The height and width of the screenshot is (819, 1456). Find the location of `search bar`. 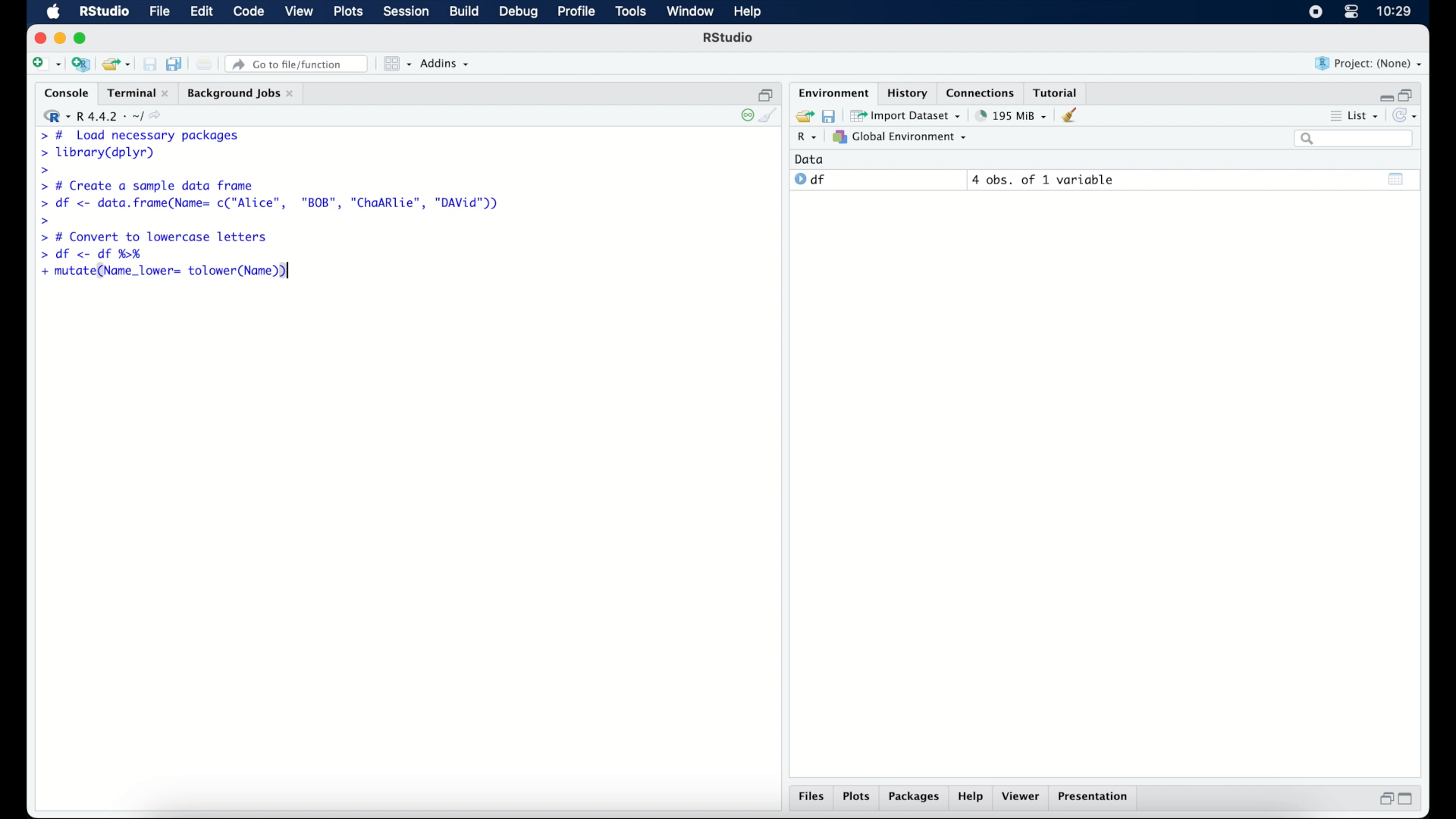

search bar is located at coordinates (1353, 140).